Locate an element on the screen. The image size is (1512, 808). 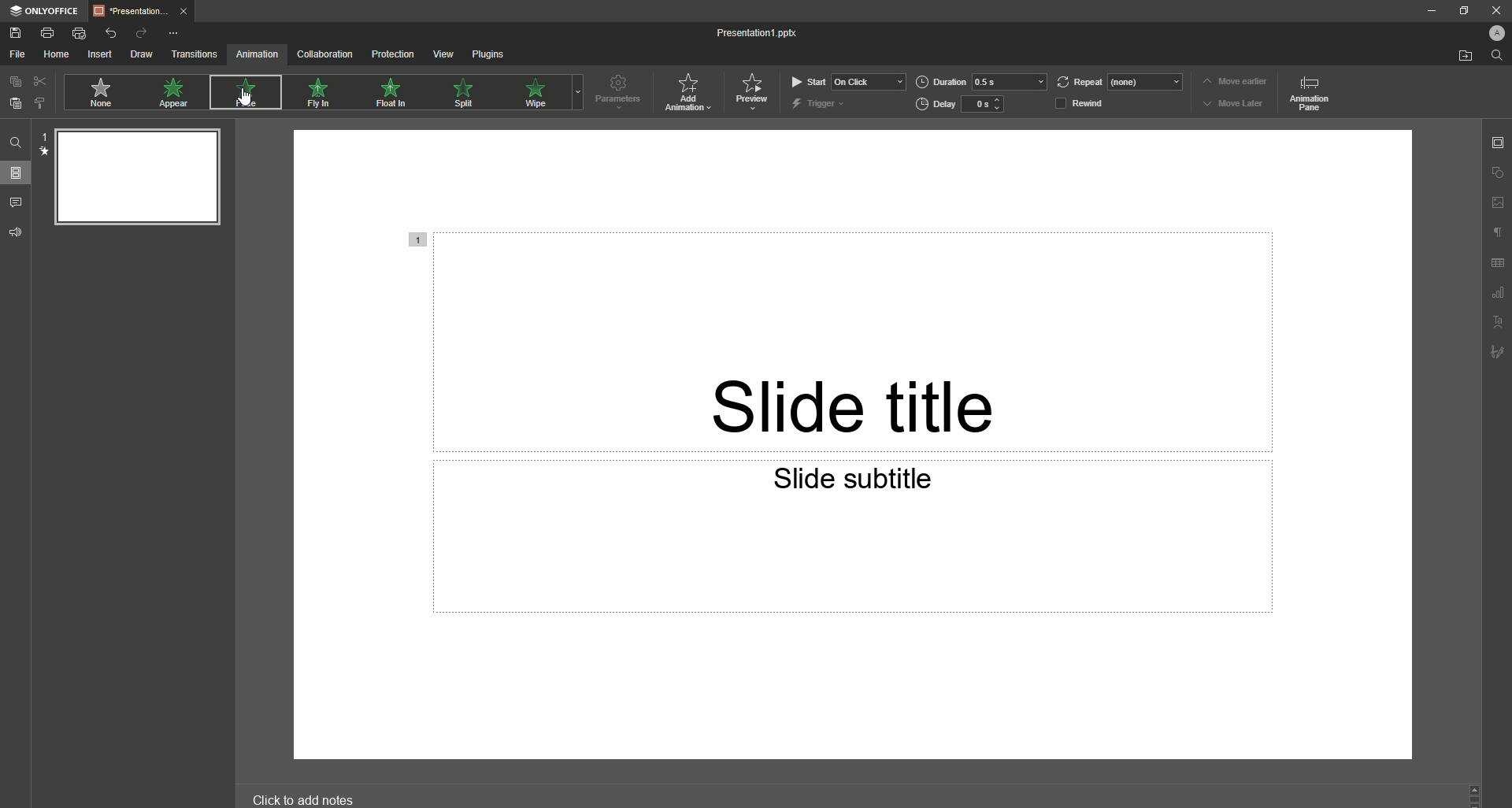
Minimize is located at coordinates (1430, 10).